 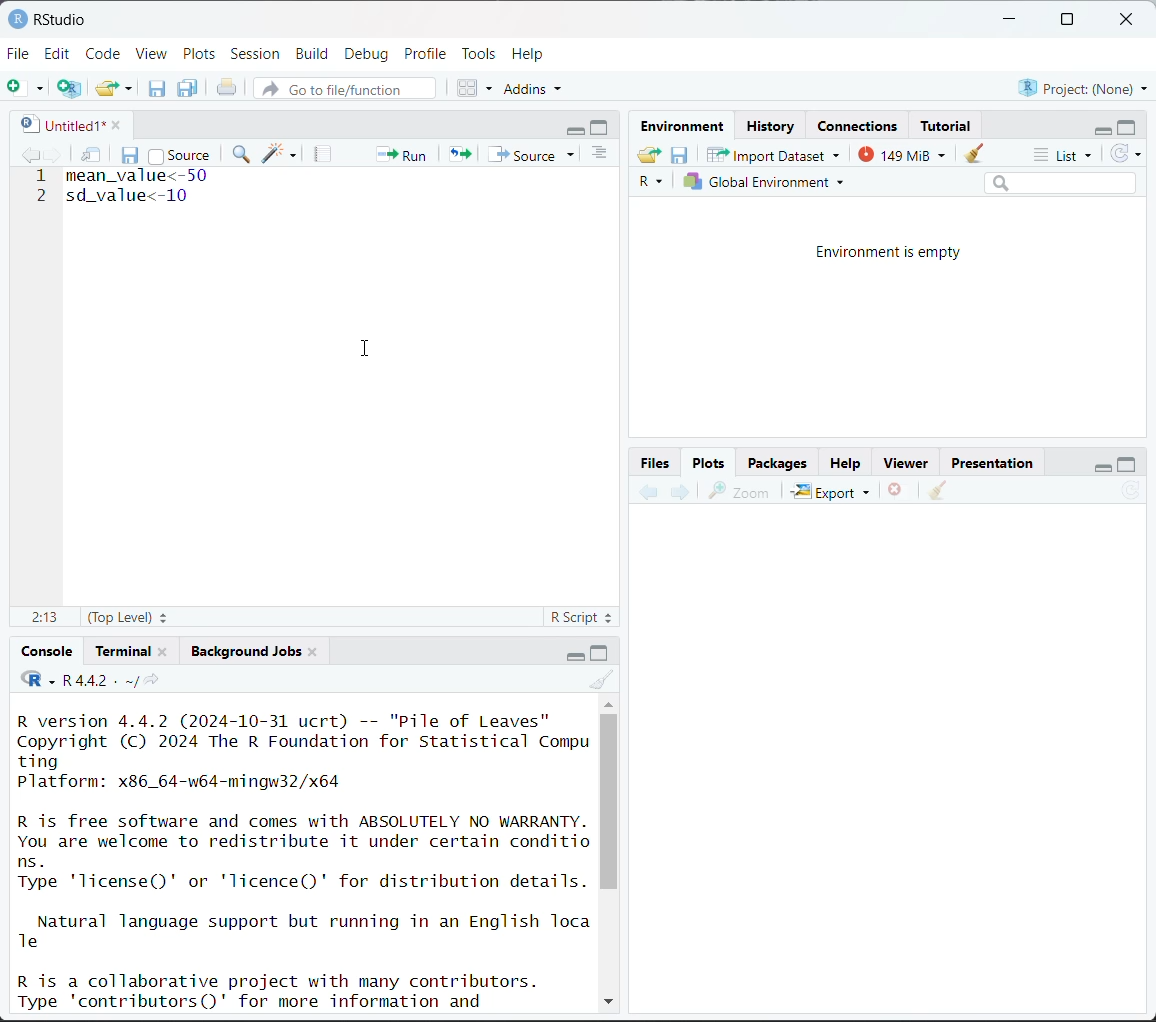 I want to click on minimize, so click(x=576, y=128).